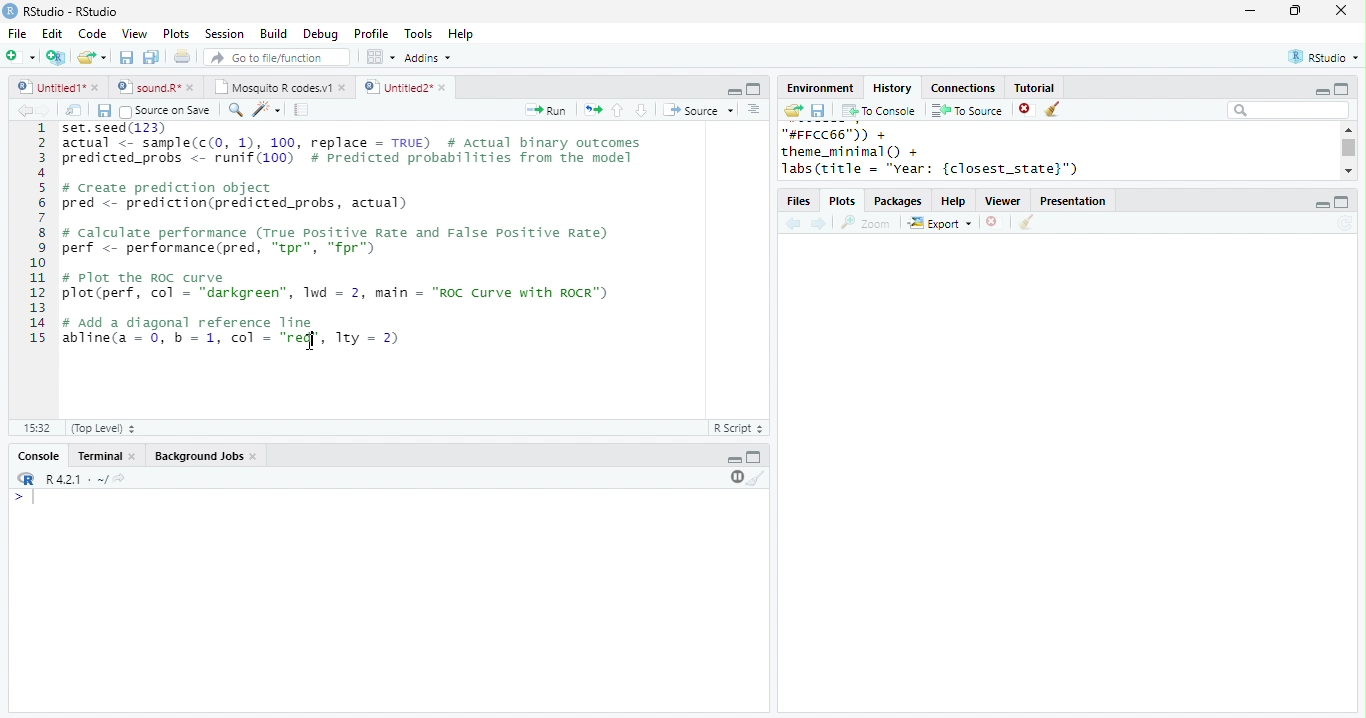 Image resolution: width=1366 pixels, height=718 pixels. What do you see at coordinates (194, 87) in the screenshot?
I see `close` at bounding box center [194, 87].